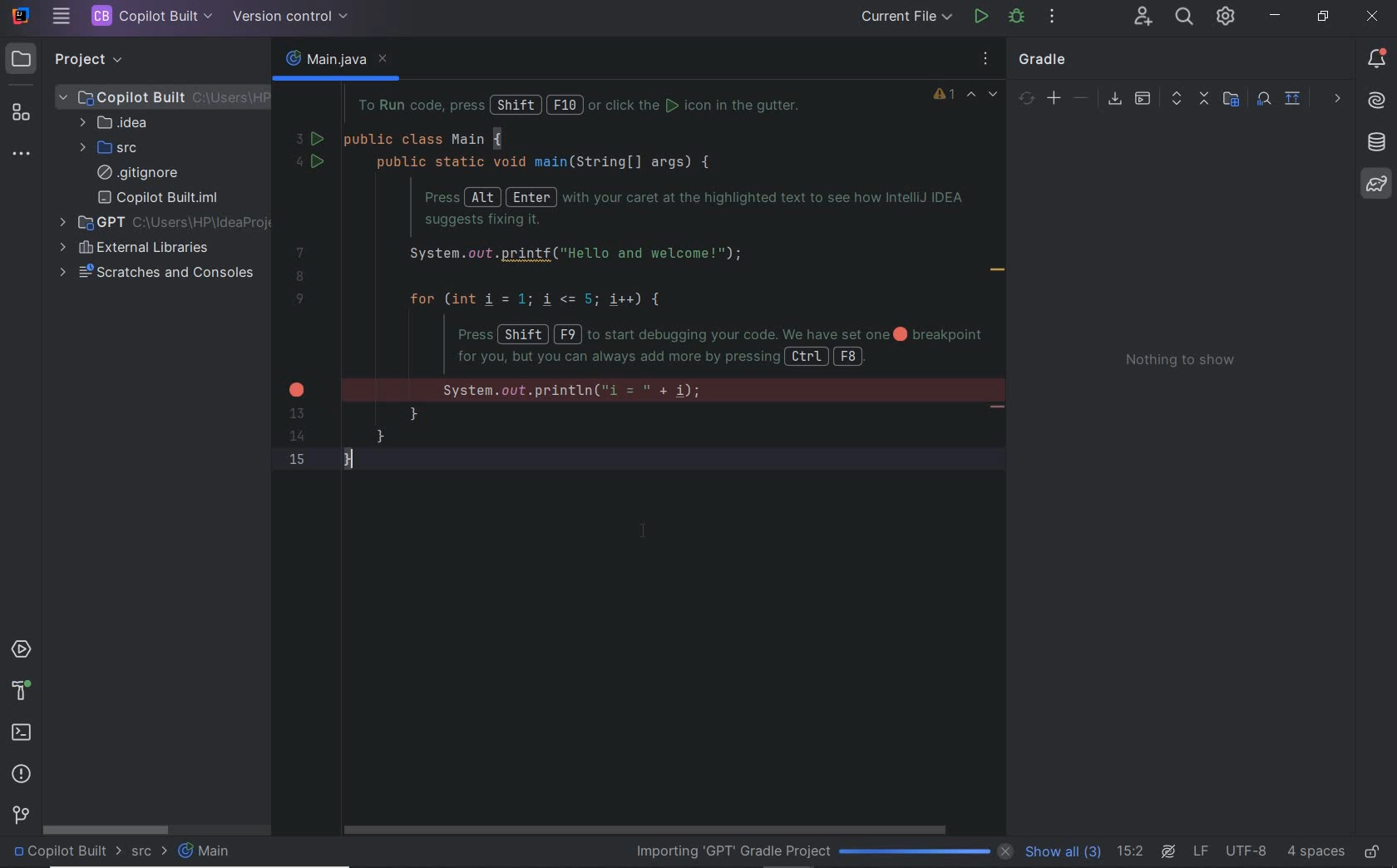 The height and width of the screenshot is (868, 1397). Describe the element at coordinates (983, 94) in the screenshot. I see `highlighted errors` at that location.